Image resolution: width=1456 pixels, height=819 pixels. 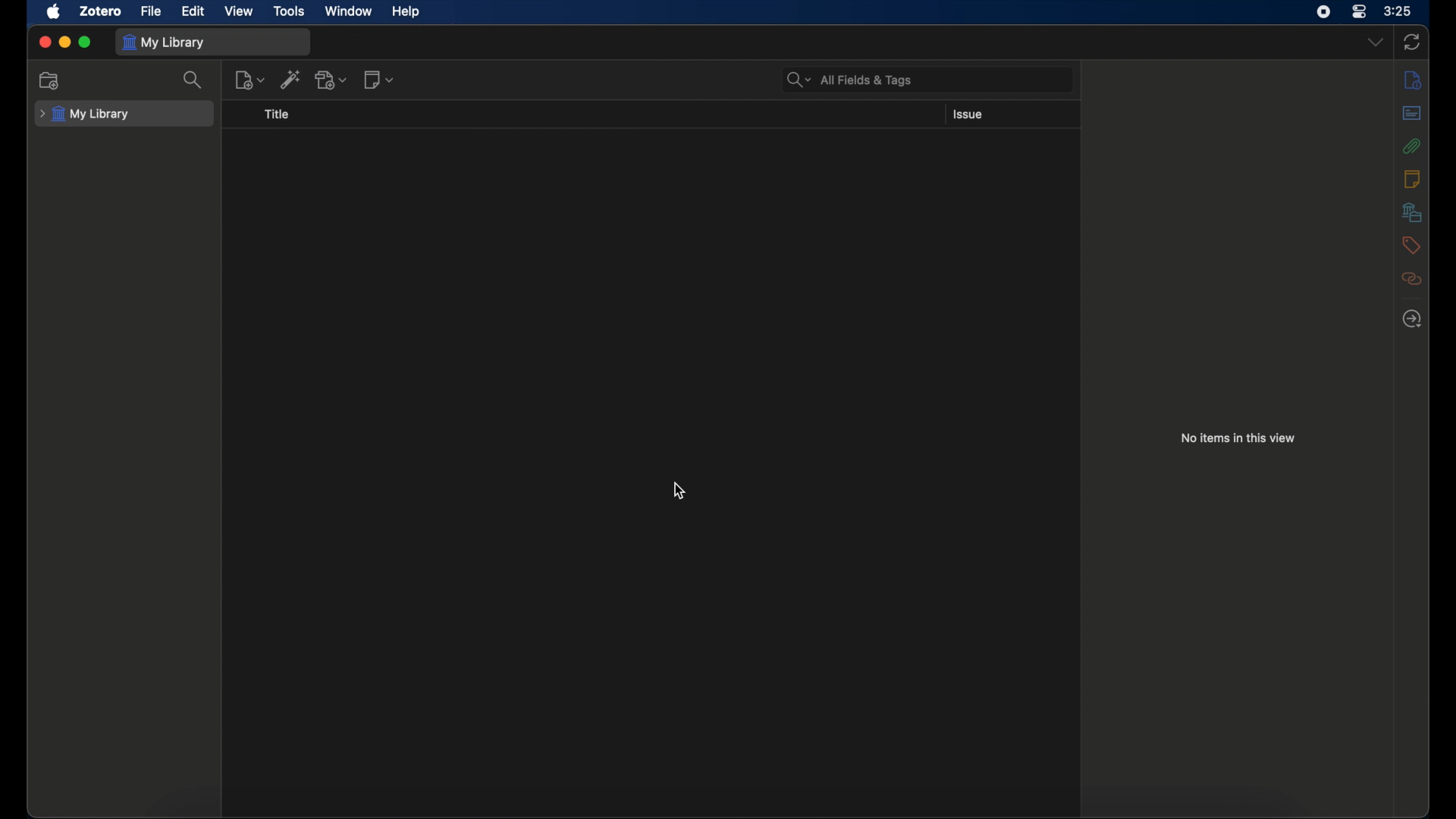 What do you see at coordinates (1411, 278) in the screenshot?
I see `related` at bounding box center [1411, 278].